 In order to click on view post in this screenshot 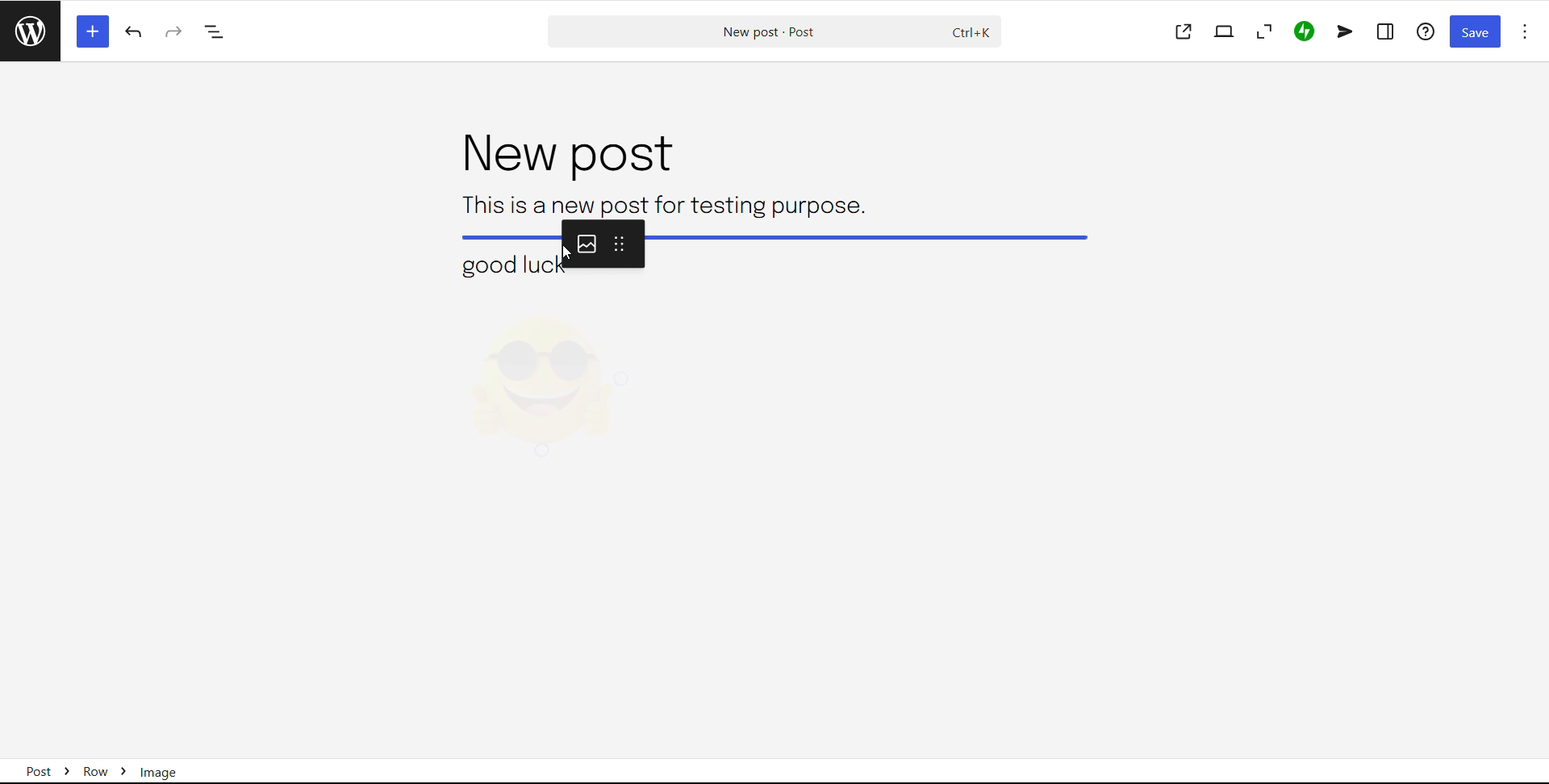, I will do `click(1184, 32)`.